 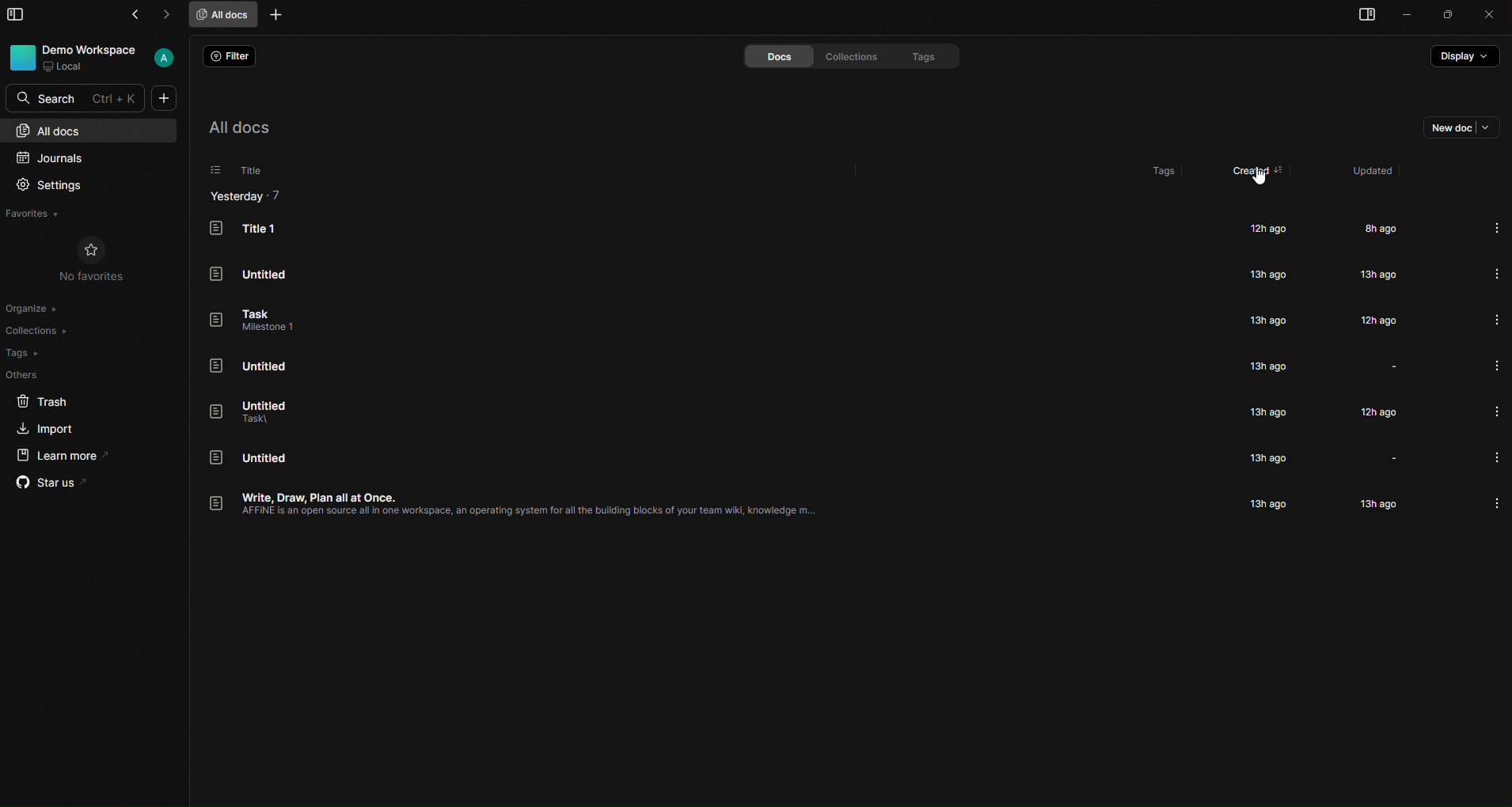 What do you see at coordinates (275, 14) in the screenshot?
I see `new tab` at bounding box center [275, 14].